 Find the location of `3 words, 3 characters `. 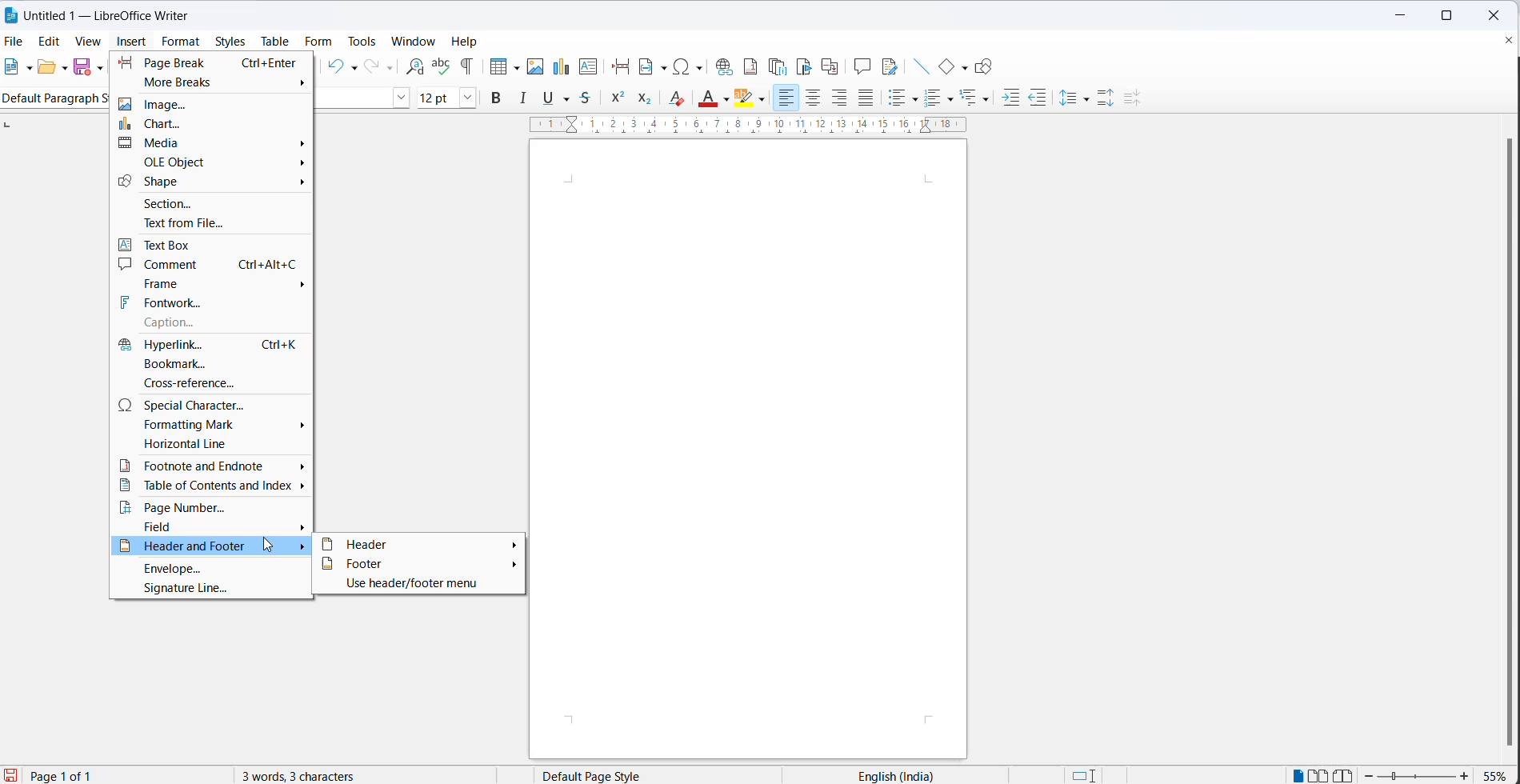

3 words, 3 characters  is located at coordinates (311, 775).